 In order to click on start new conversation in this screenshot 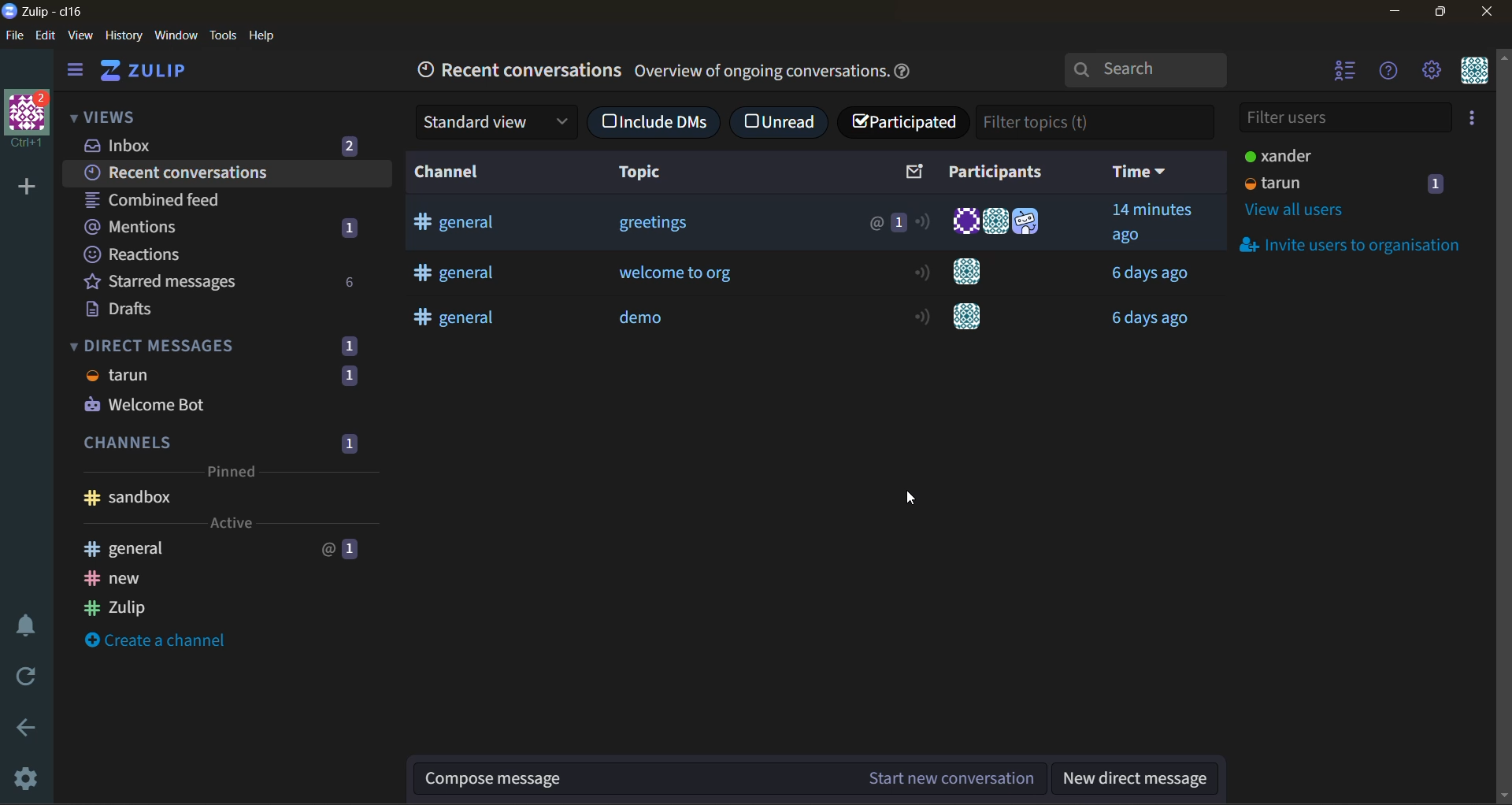, I will do `click(948, 778)`.